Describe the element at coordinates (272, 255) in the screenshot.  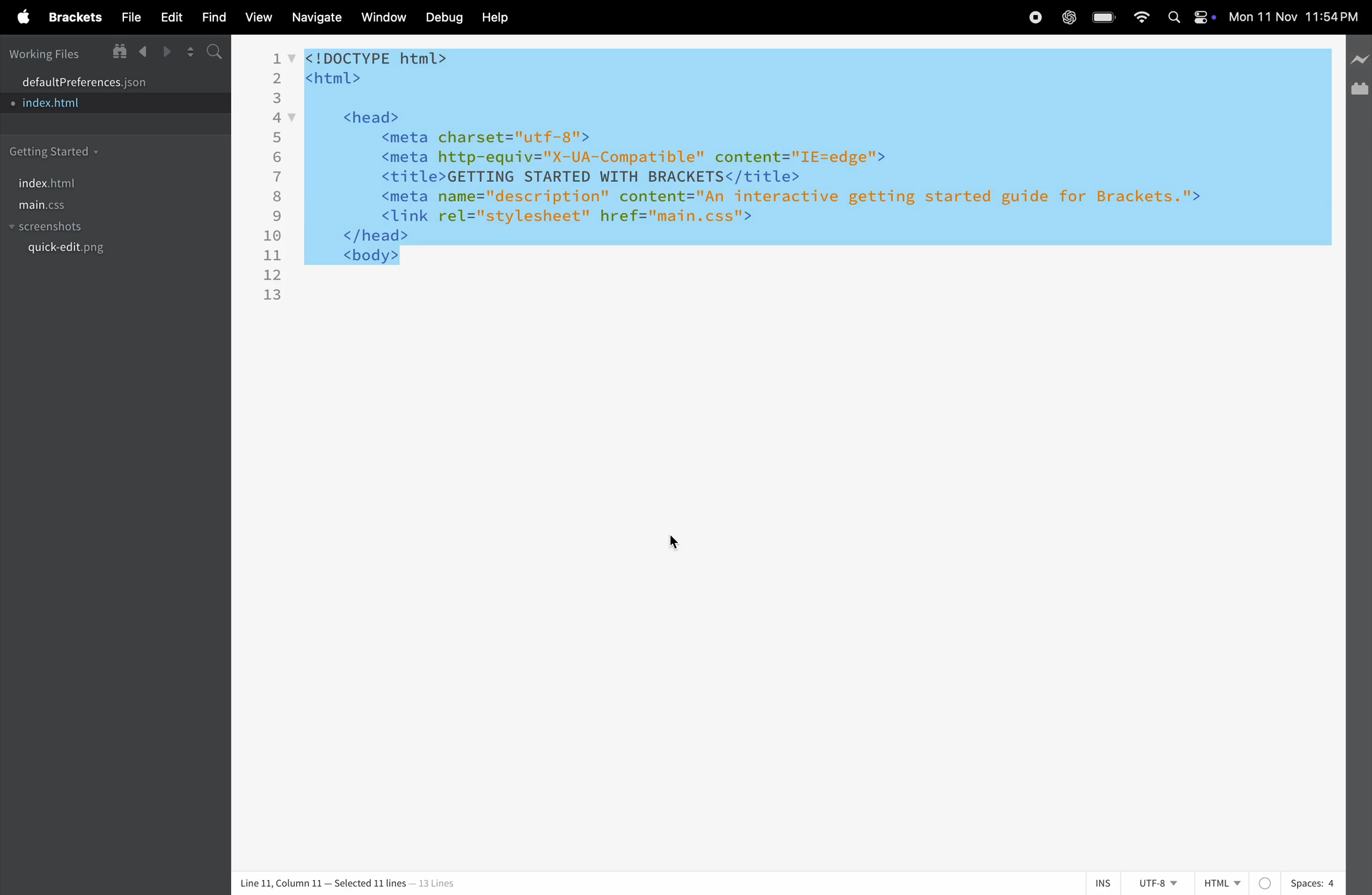
I see `11` at that location.